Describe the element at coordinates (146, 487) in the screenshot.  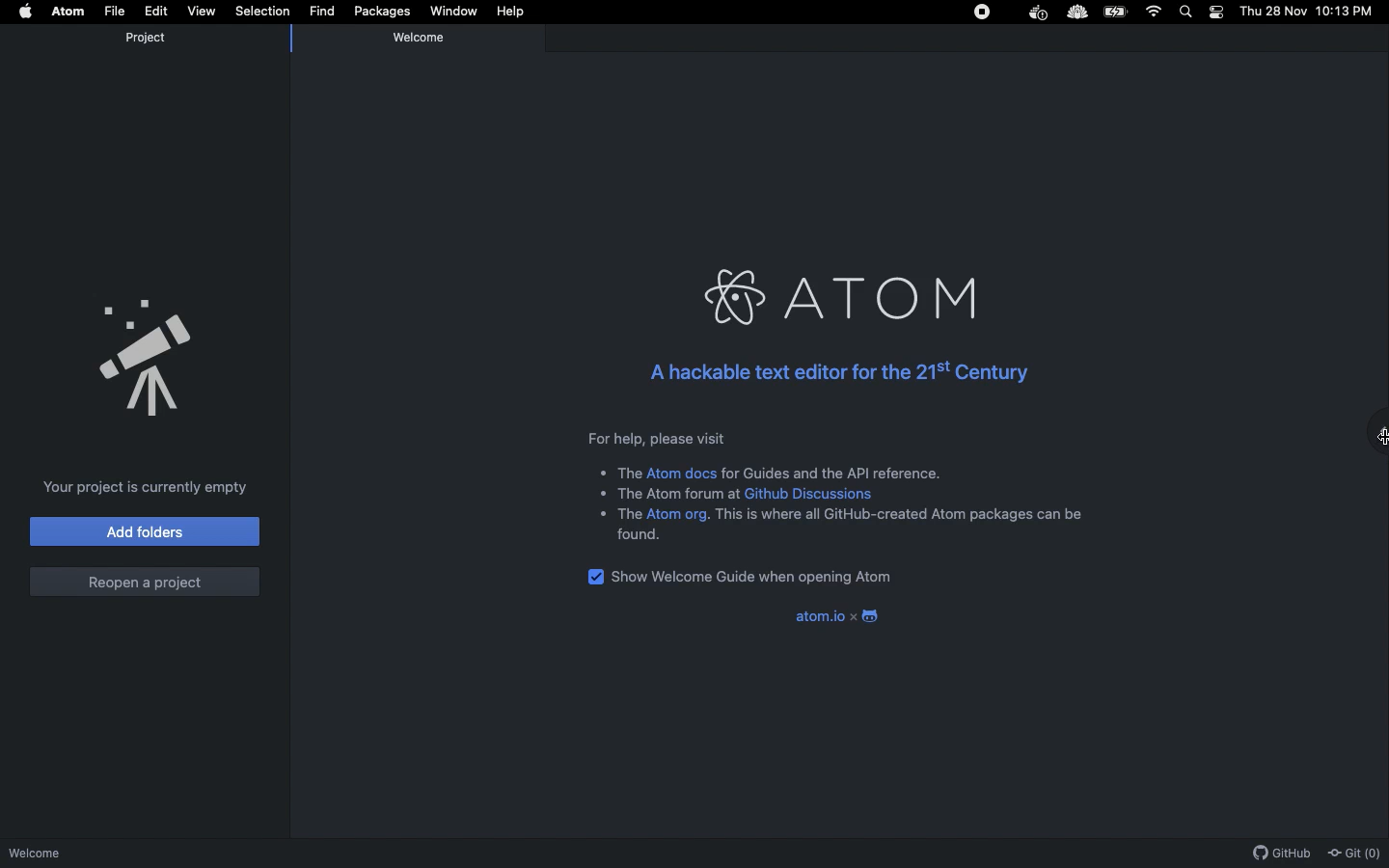
I see `Your project is currently empty` at that location.